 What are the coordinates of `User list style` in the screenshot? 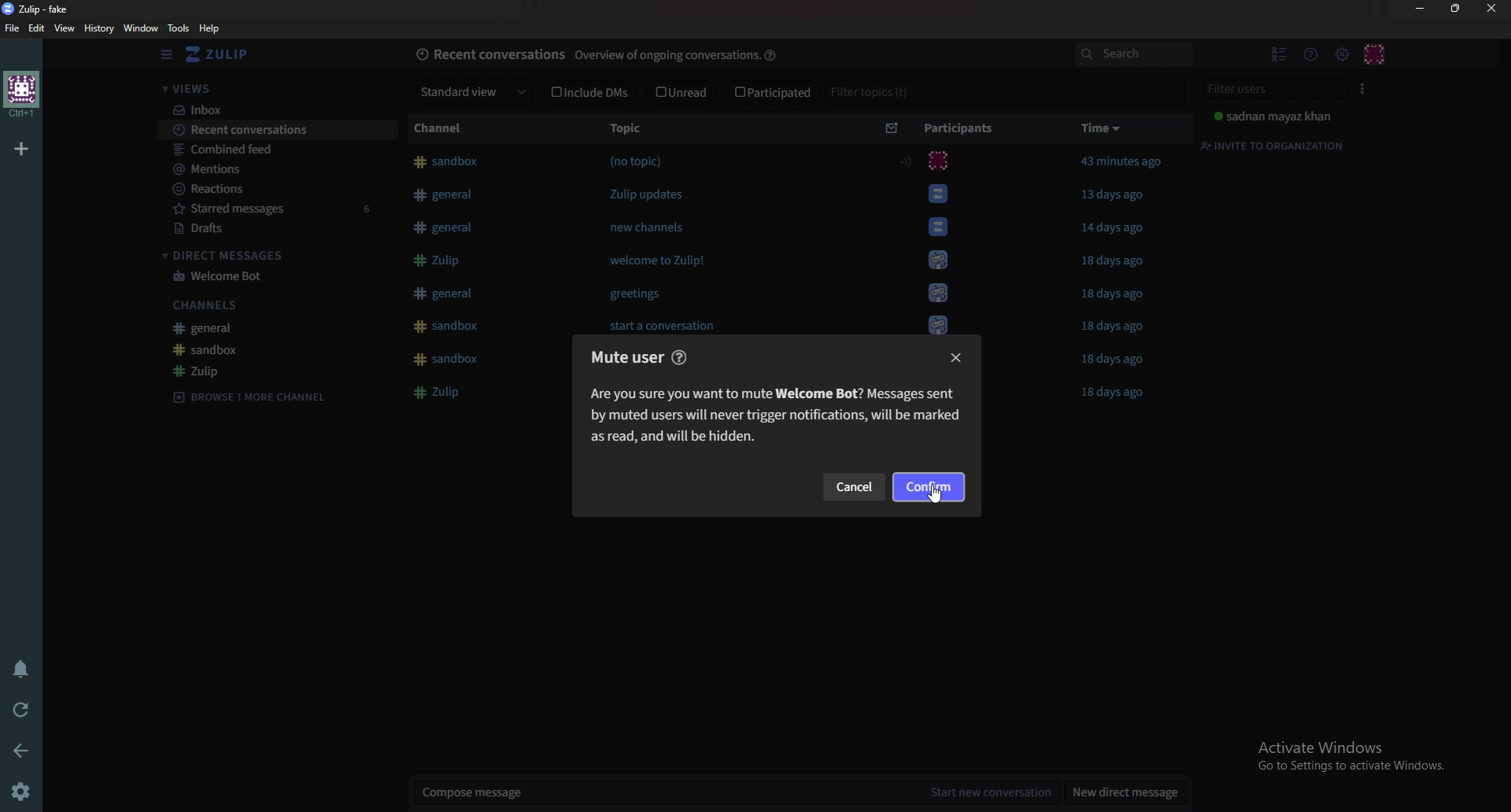 It's located at (1365, 88).